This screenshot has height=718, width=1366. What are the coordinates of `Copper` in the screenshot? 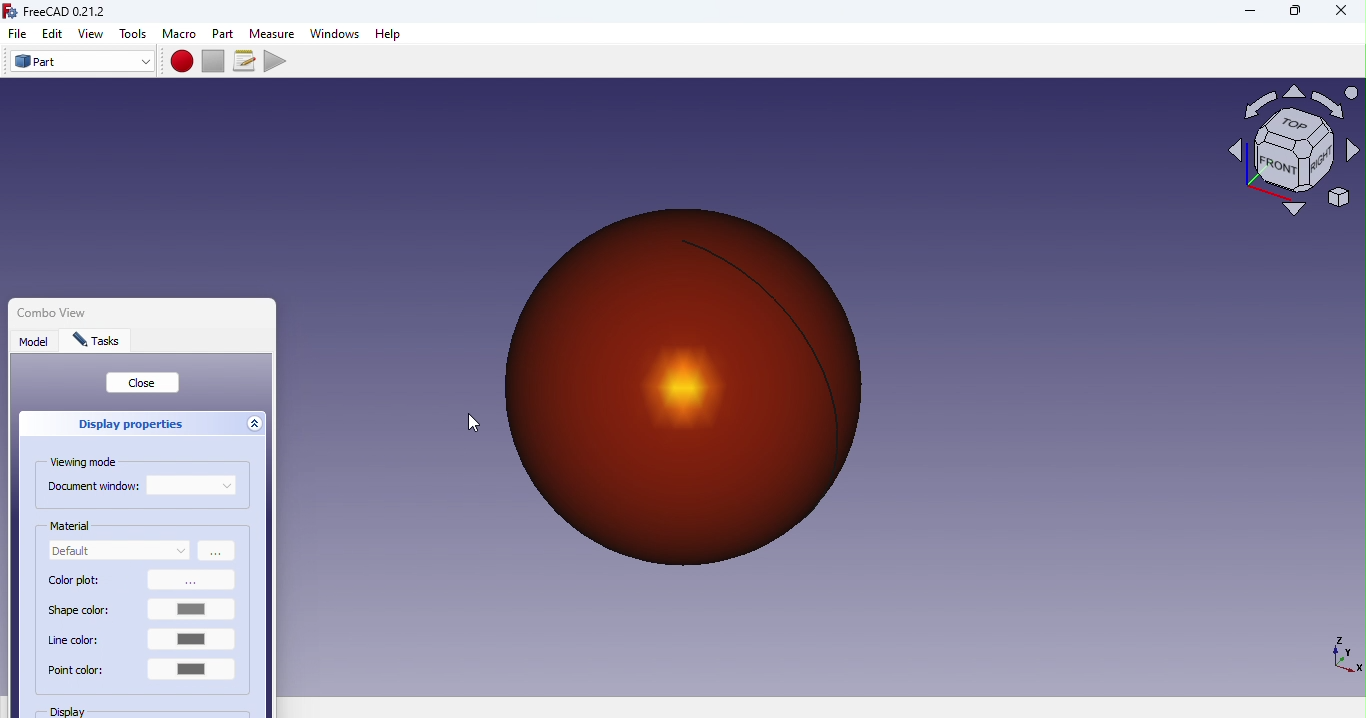 It's located at (120, 553).